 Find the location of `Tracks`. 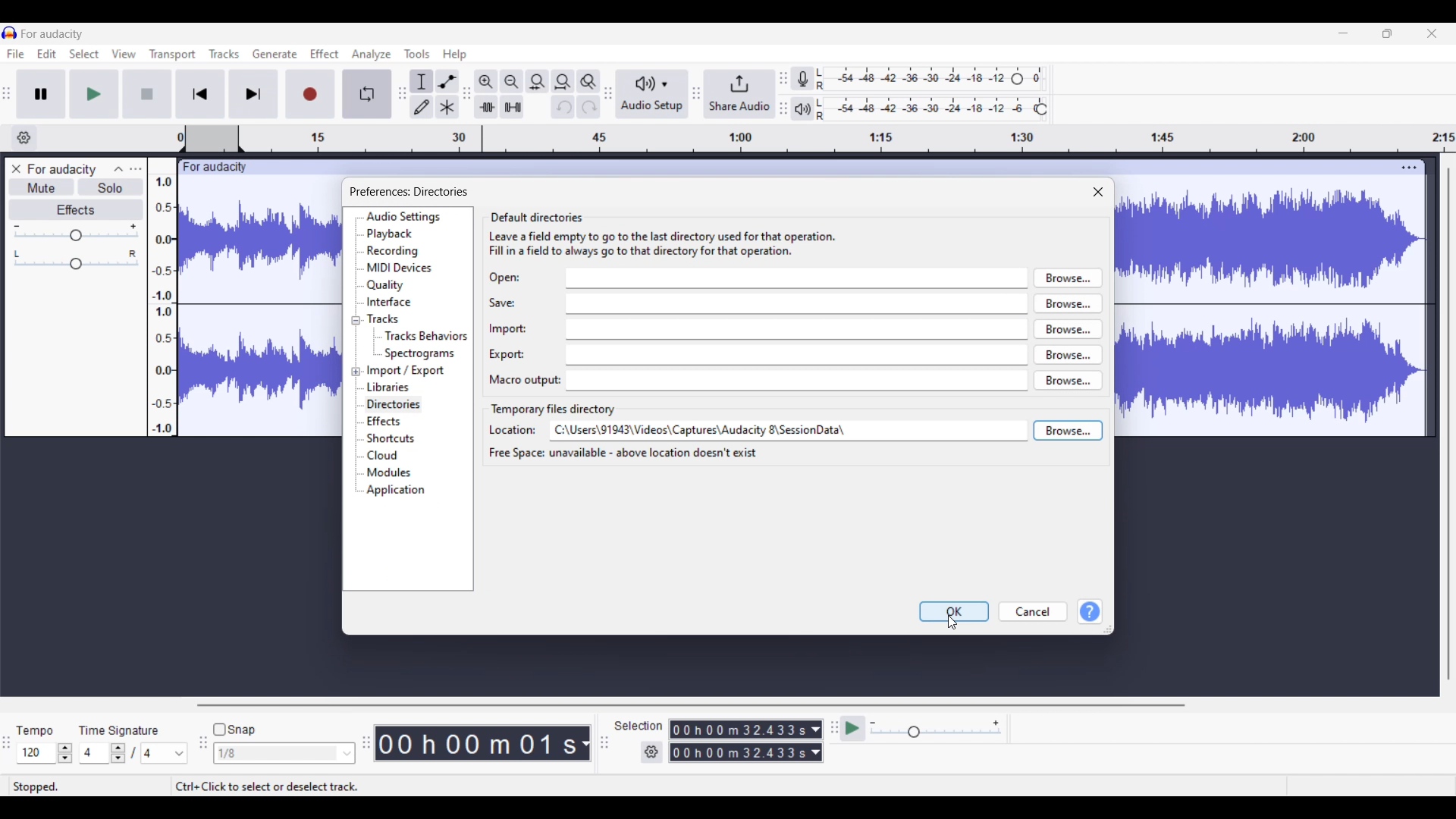

Tracks is located at coordinates (384, 318).